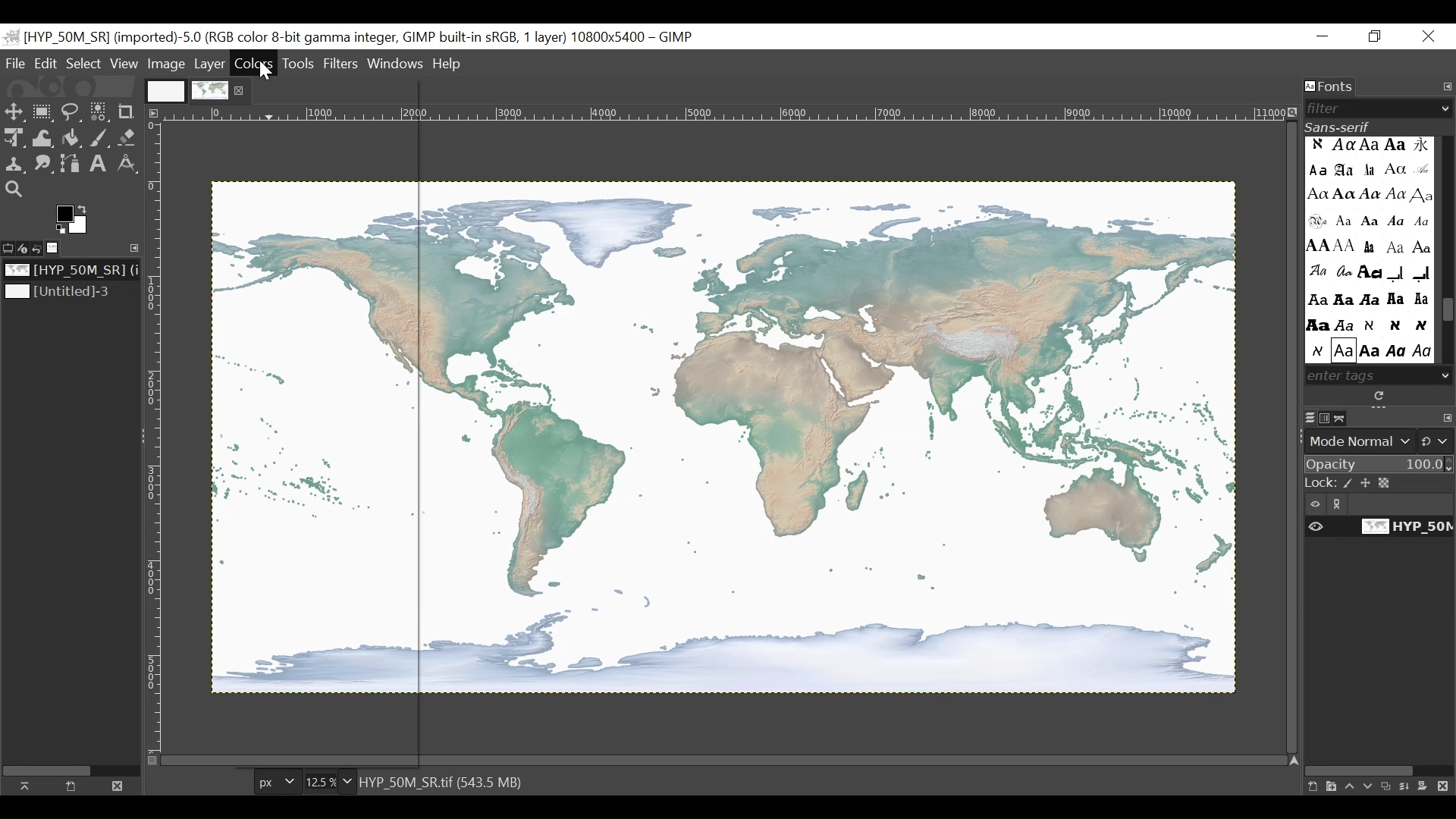  What do you see at coordinates (1447, 312) in the screenshot?
I see `Scroll bar` at bounding box center [1447, 312].